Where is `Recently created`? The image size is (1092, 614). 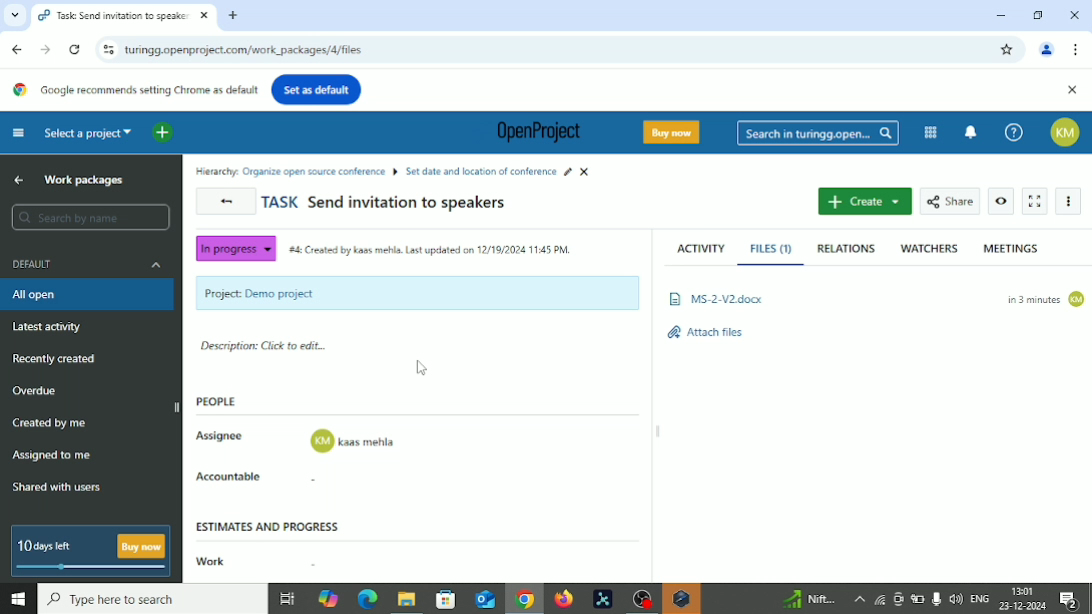
Recently created is located at coordinates (55, 360).